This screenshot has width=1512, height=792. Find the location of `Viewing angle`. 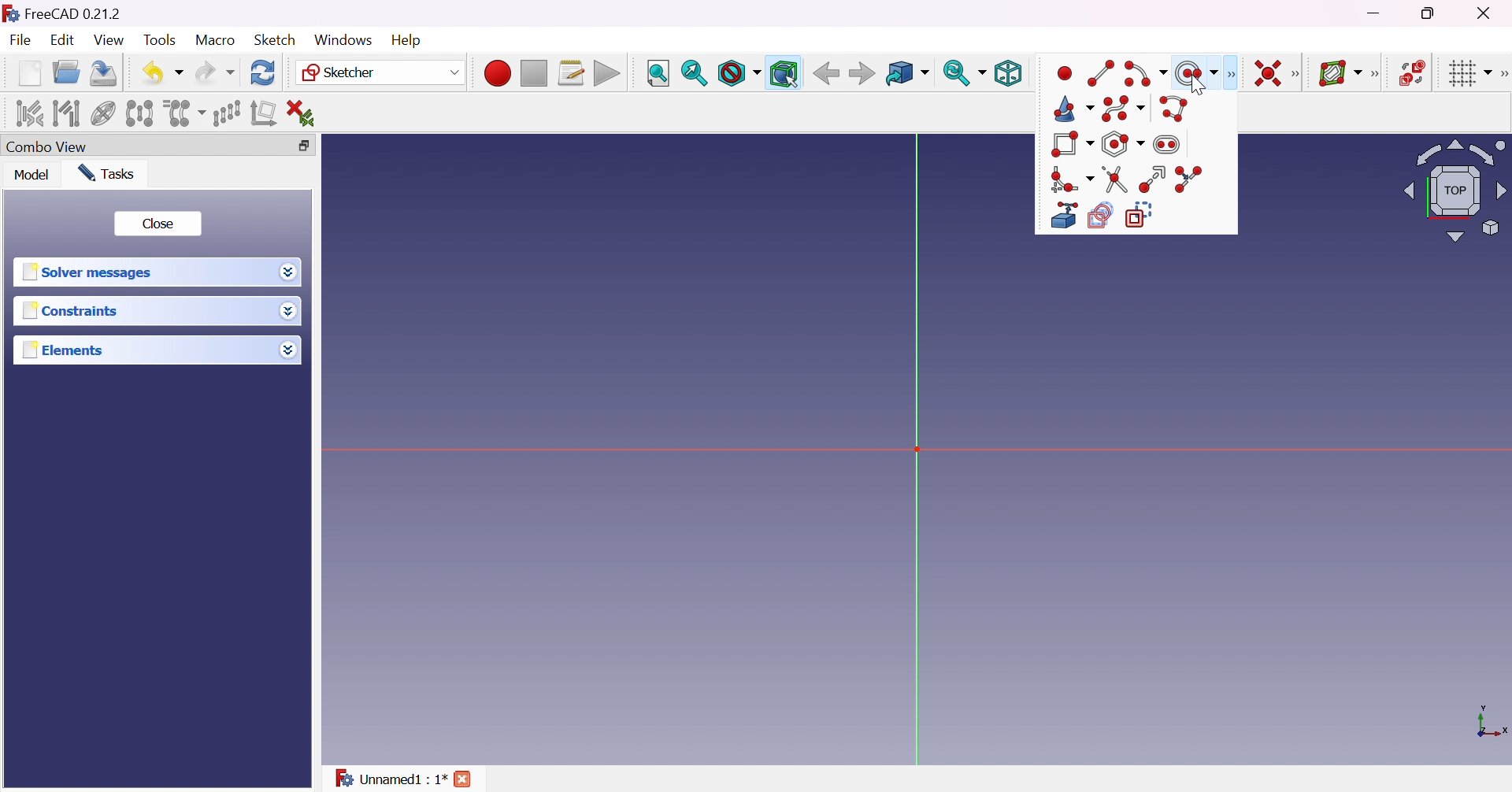

Viewing angle is located at coordinates (1452, 192).